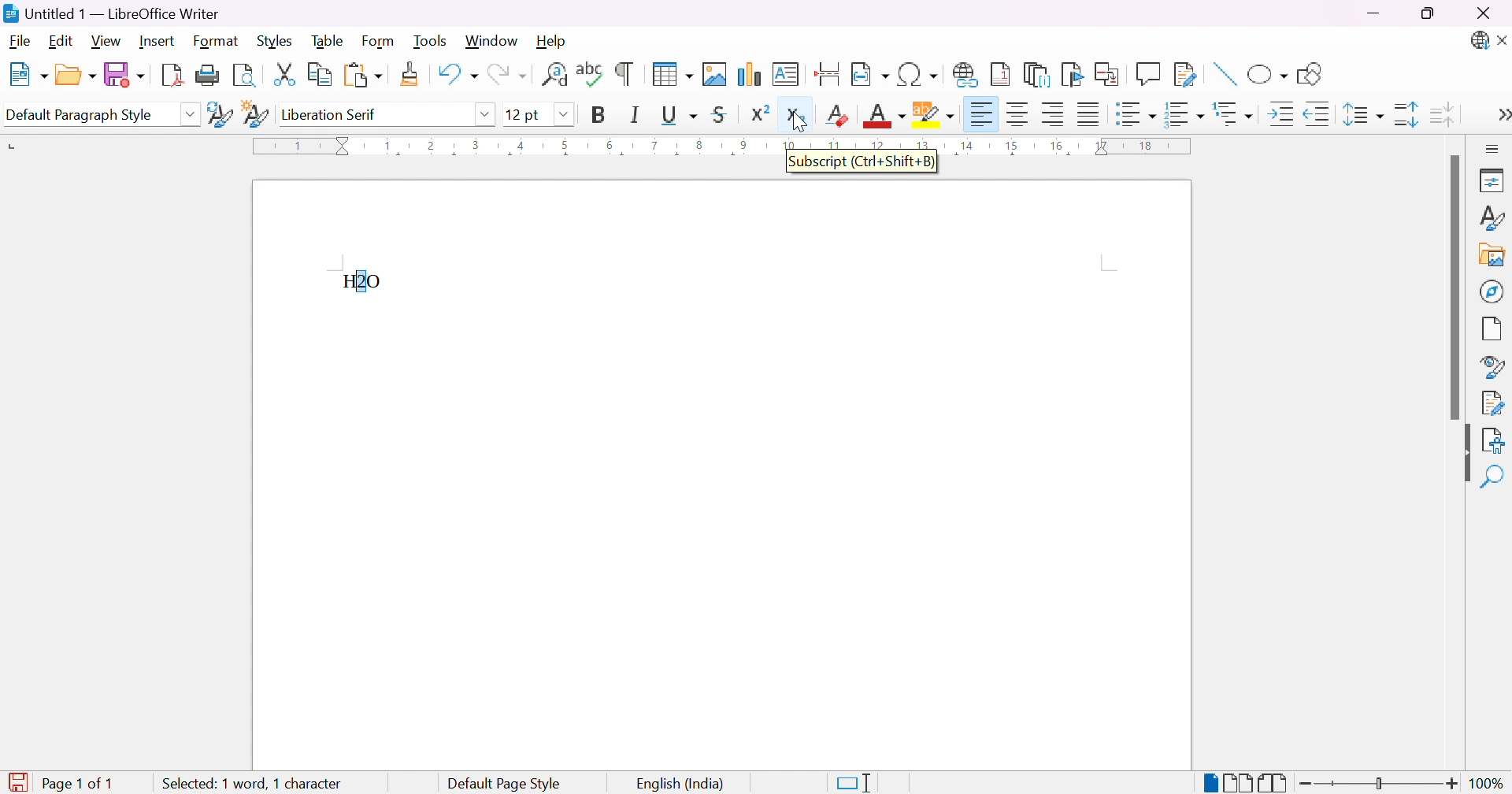 This screenshot has width=1512, height=794. Describe the element at coordinates (759, 113) in the screenshot. I see `Superscript` at that location.